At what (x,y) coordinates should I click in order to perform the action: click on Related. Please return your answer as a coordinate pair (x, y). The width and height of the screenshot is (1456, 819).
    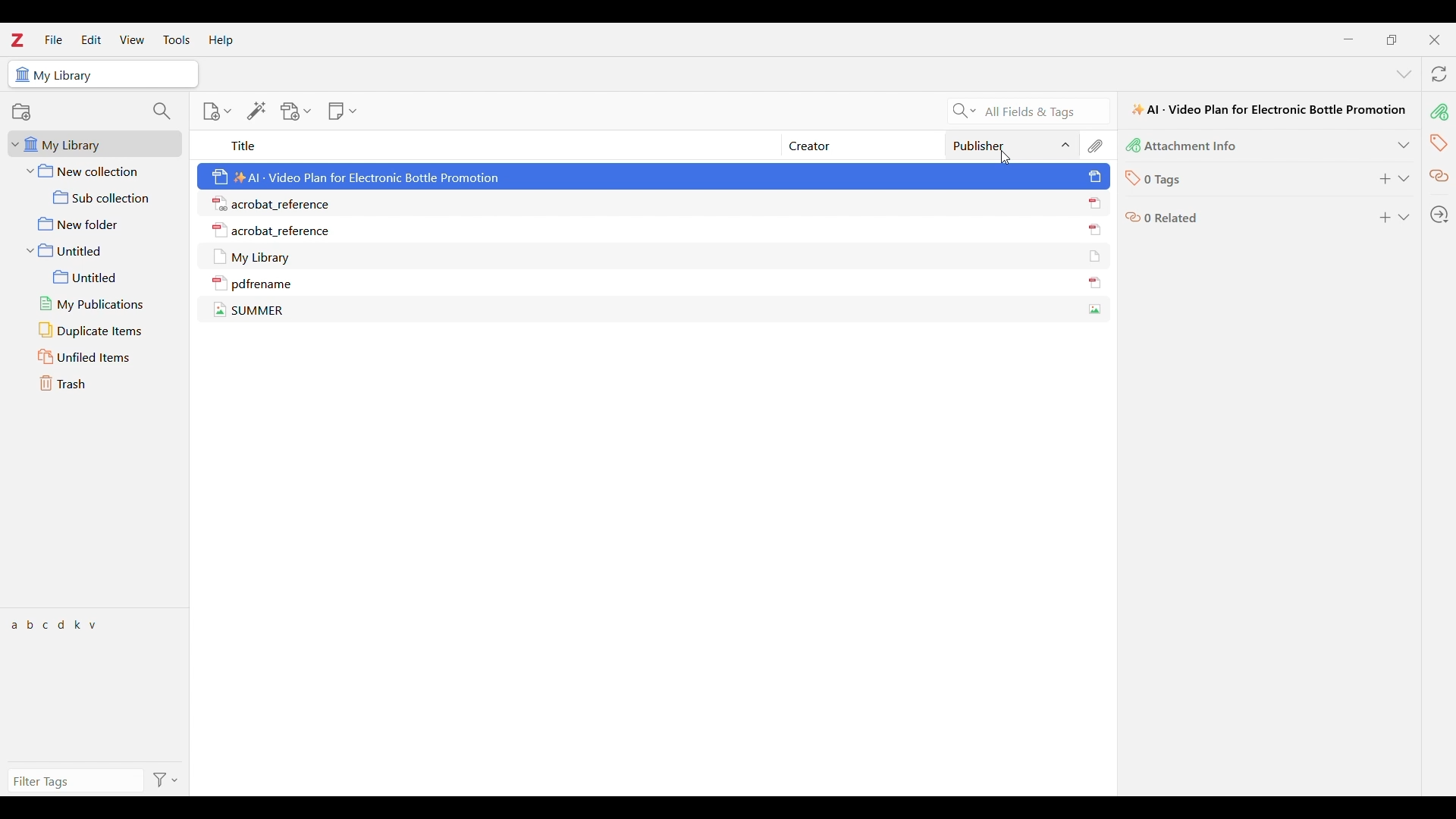
    Looking at the image, I should click on (1438, 177).